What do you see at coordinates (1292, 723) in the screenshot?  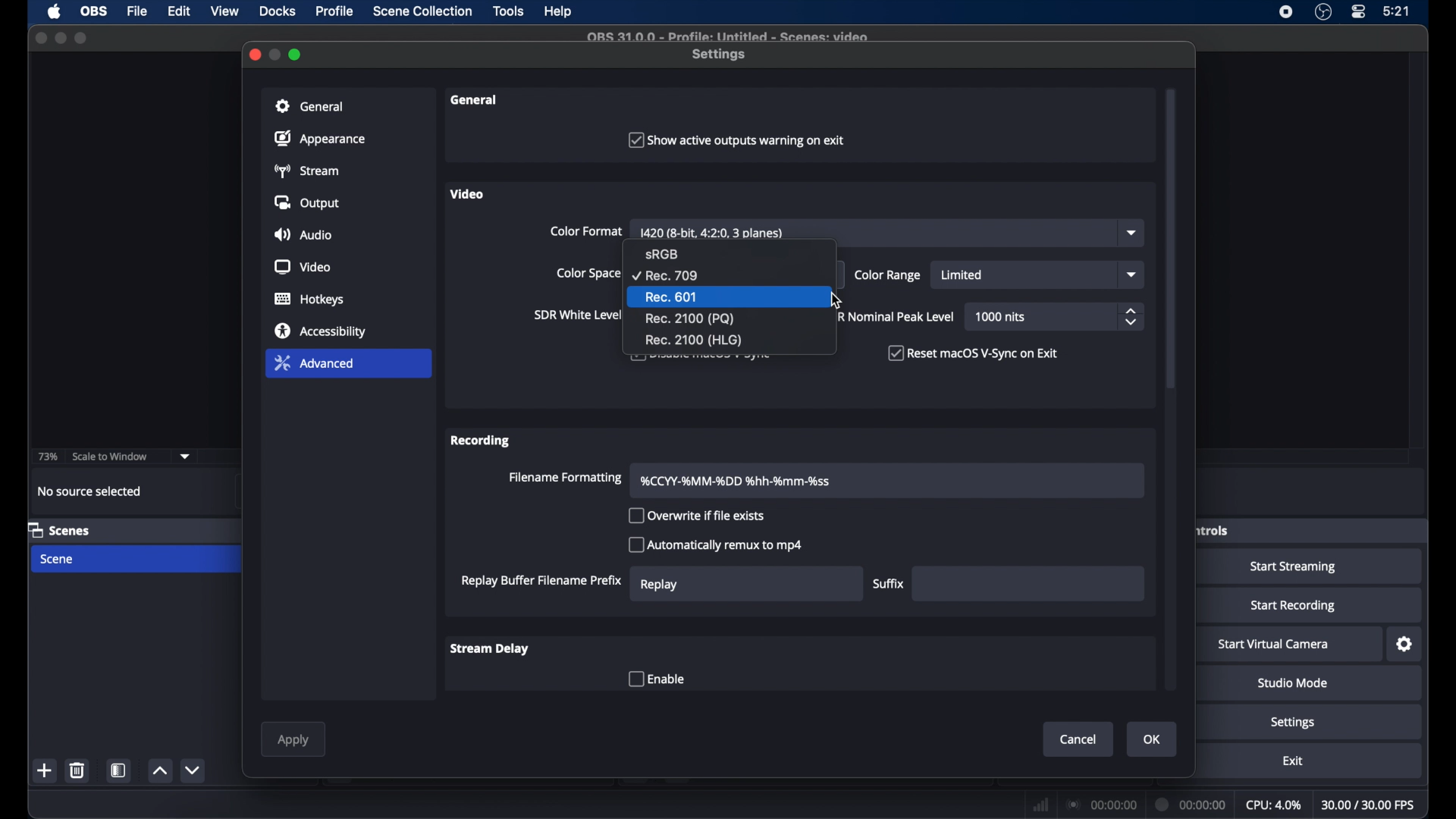 I see `settings` at bounding box center [1292, 723].